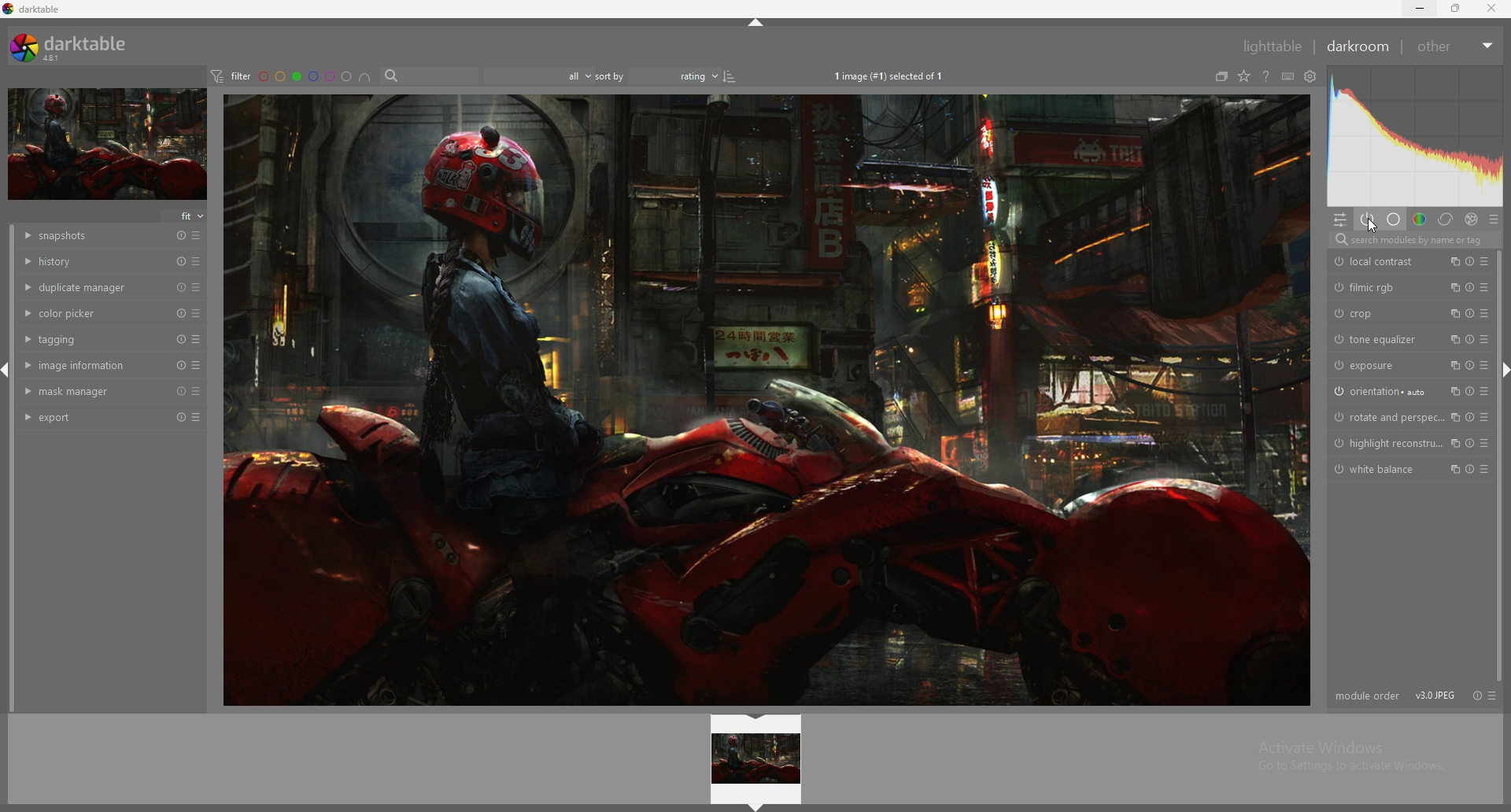 This screenshot has width=1511, height=812. Describe the element at coordinates (14, 469) in the screenshot. I see `scroll bar` at that location.